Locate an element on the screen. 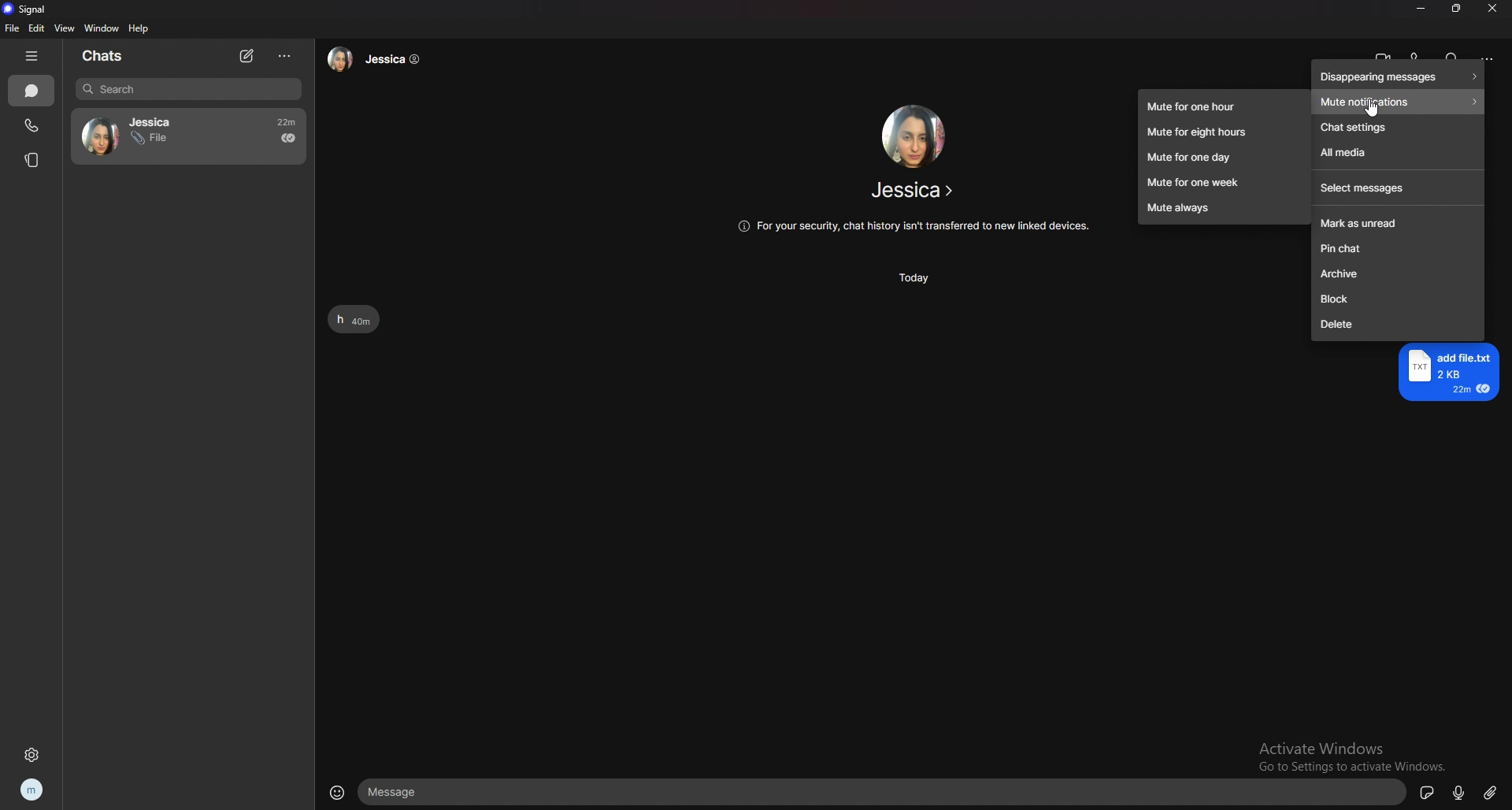 Image resolution: width=1512 pixels, height=810 pixels. calls is located at coordinates (34, 126).